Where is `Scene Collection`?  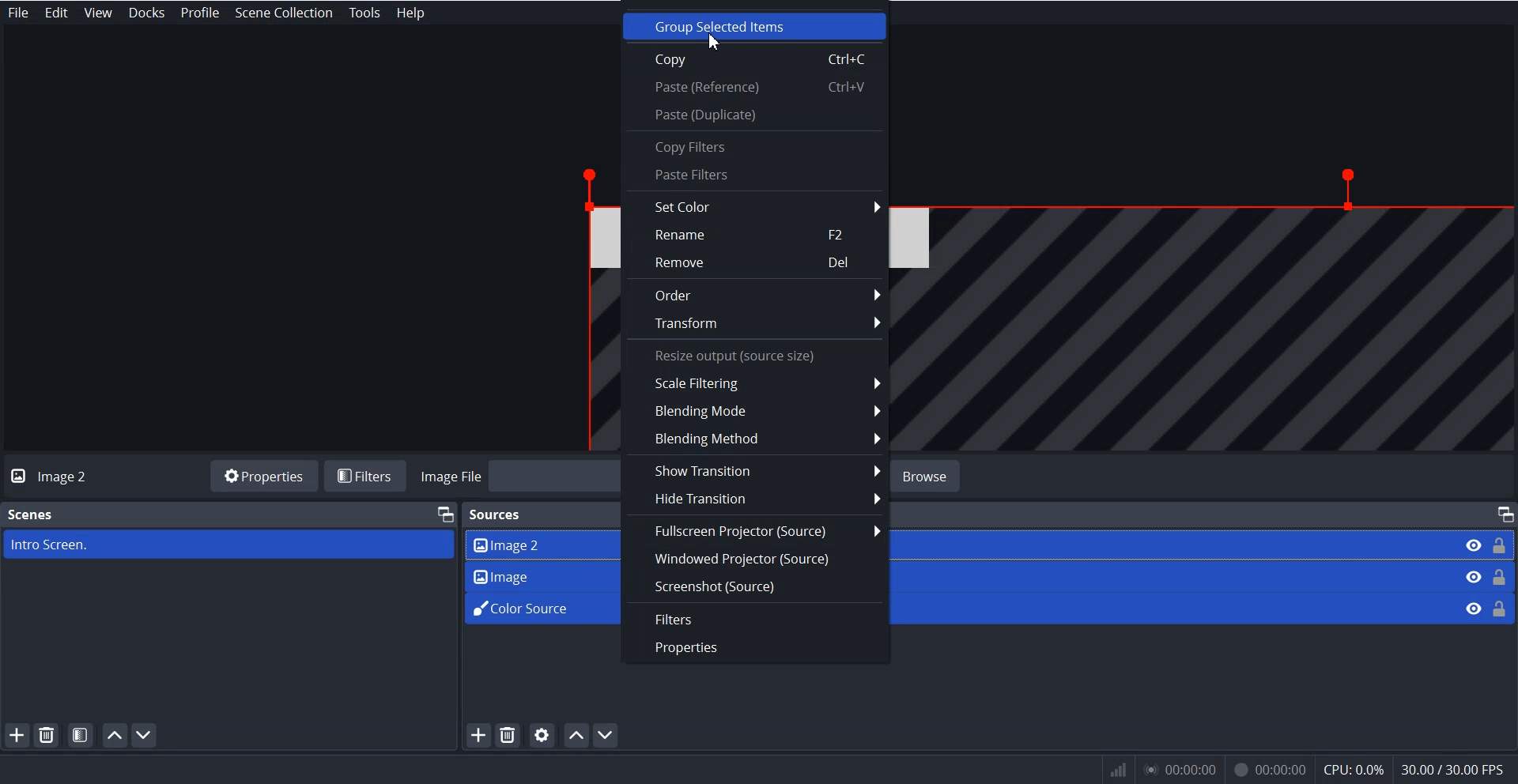 Scene Collection is located at coordinates (285, 13).